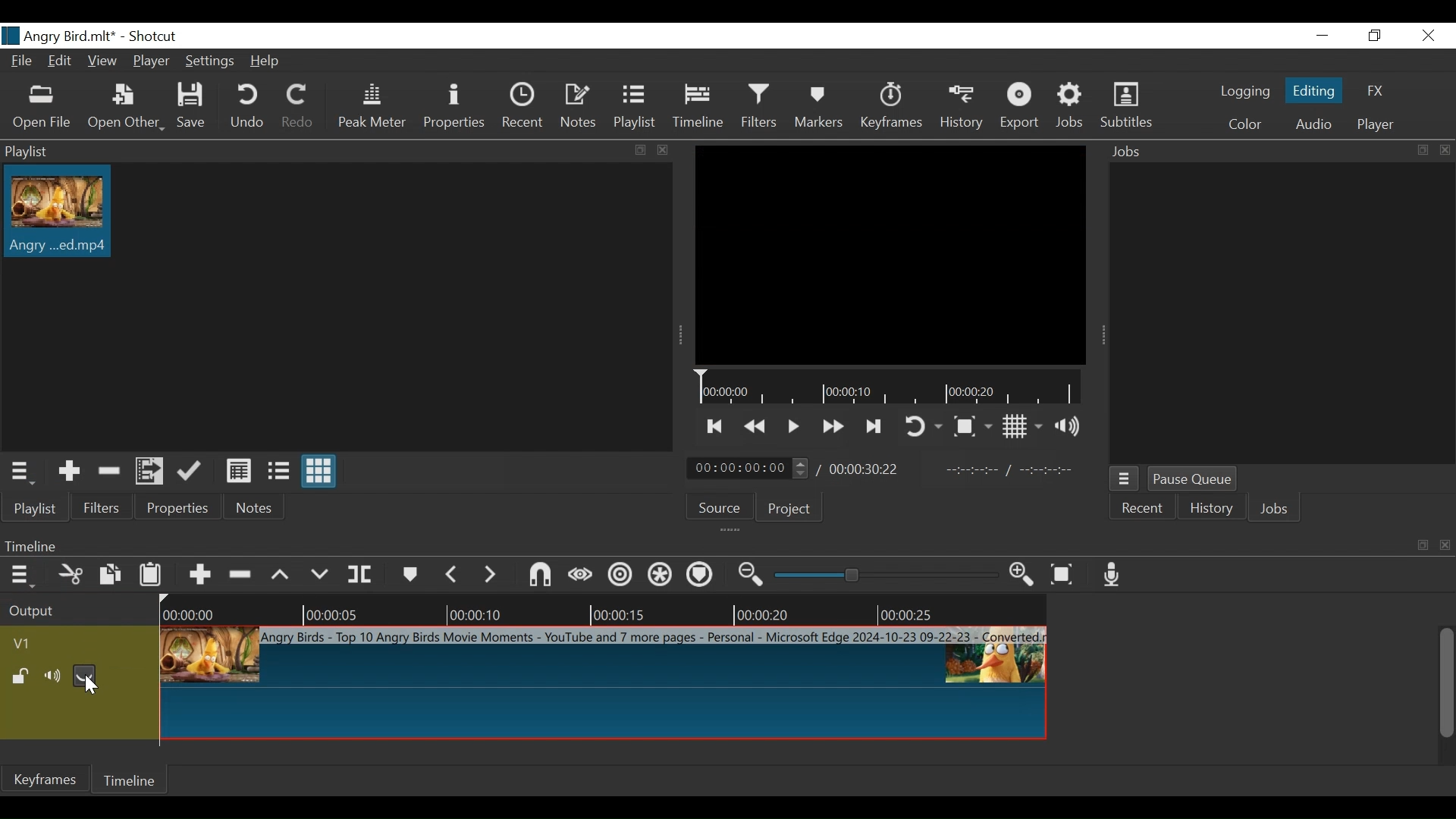  What do you see at coordinates (61, 61) in the screenshot?
I see `Edit` at bounding box center [61, 61].